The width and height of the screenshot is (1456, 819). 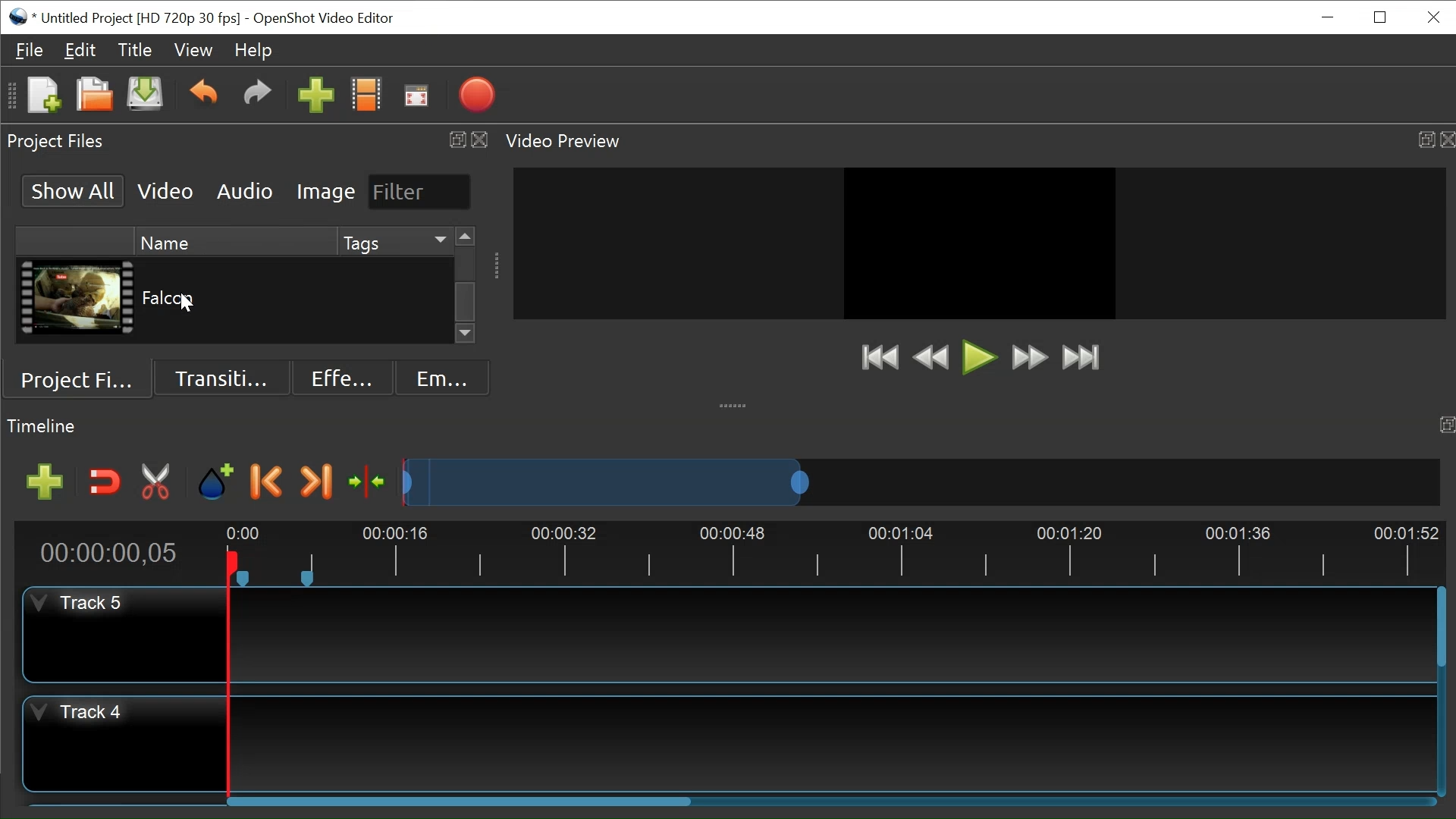 What do you see at coordinates (227, 676) in the screenshot?
I see `Timeline cursor` at bounding box center [227, 676].